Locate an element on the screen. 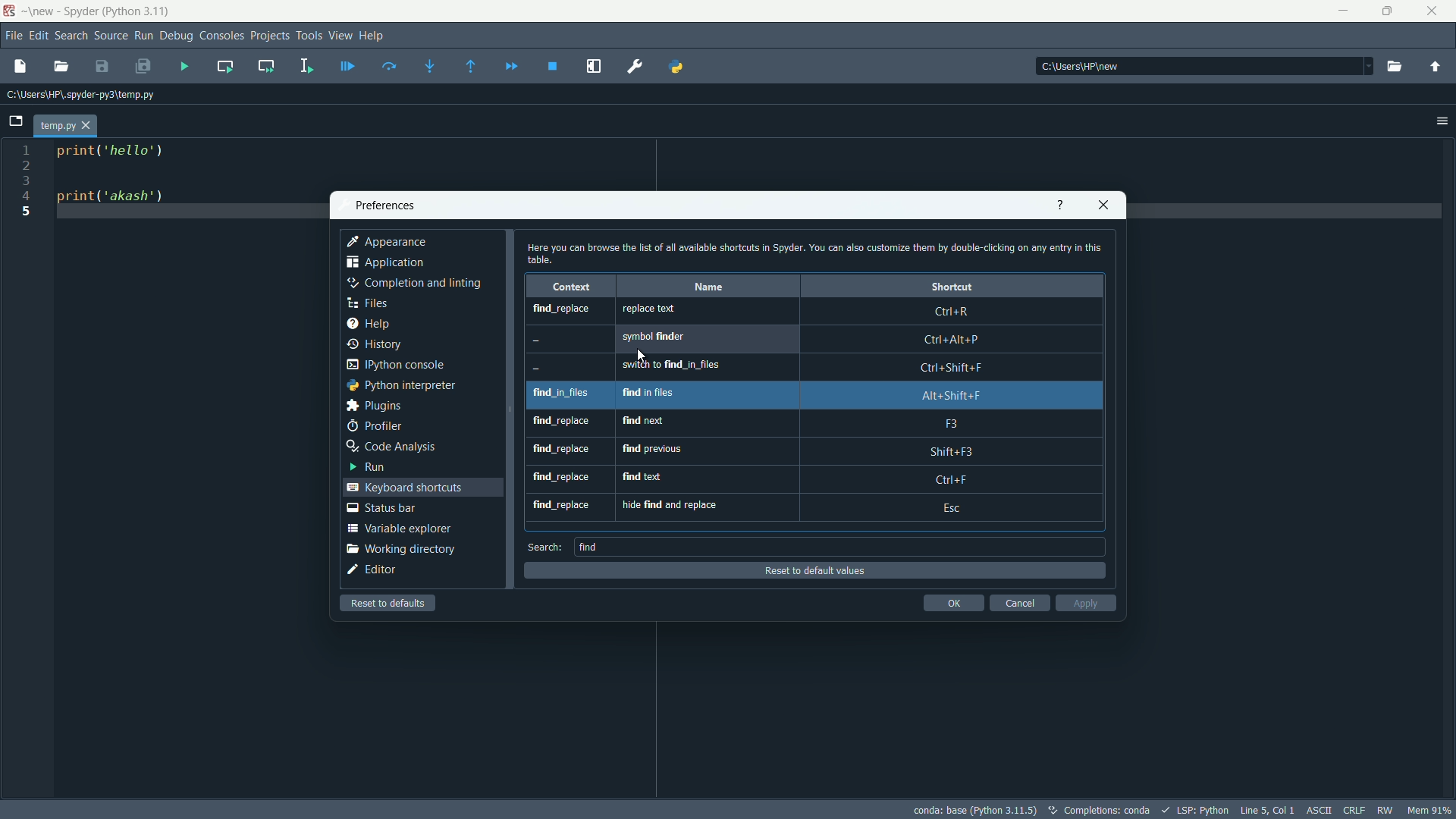 The height and width of the screenshot is (819, 1456). editor is located at coordinates (375, 570).